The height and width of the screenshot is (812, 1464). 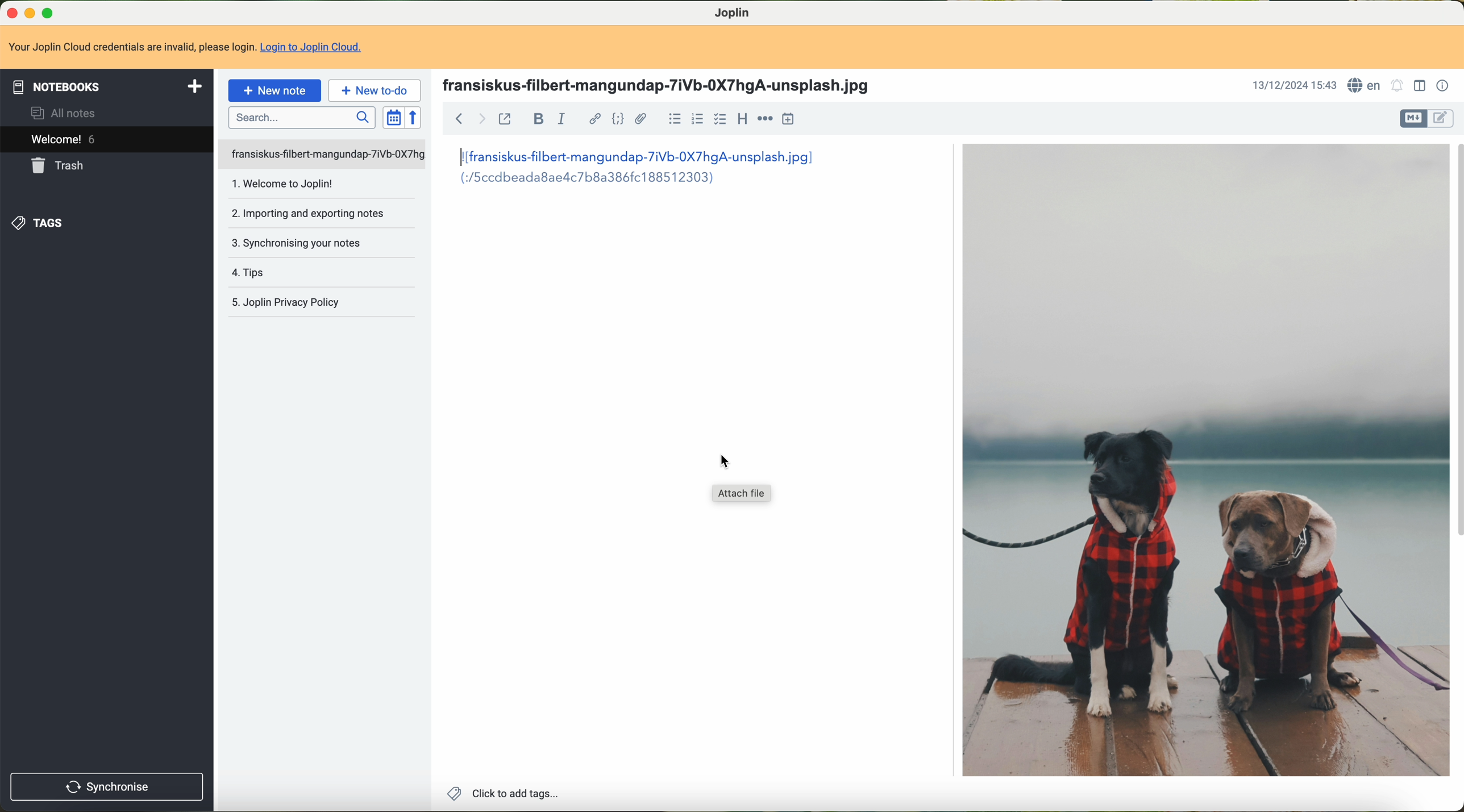 What do you see at coordinates (321, 154) in the screenshot?
I see `untitled note` at bounding box center [321, 154].